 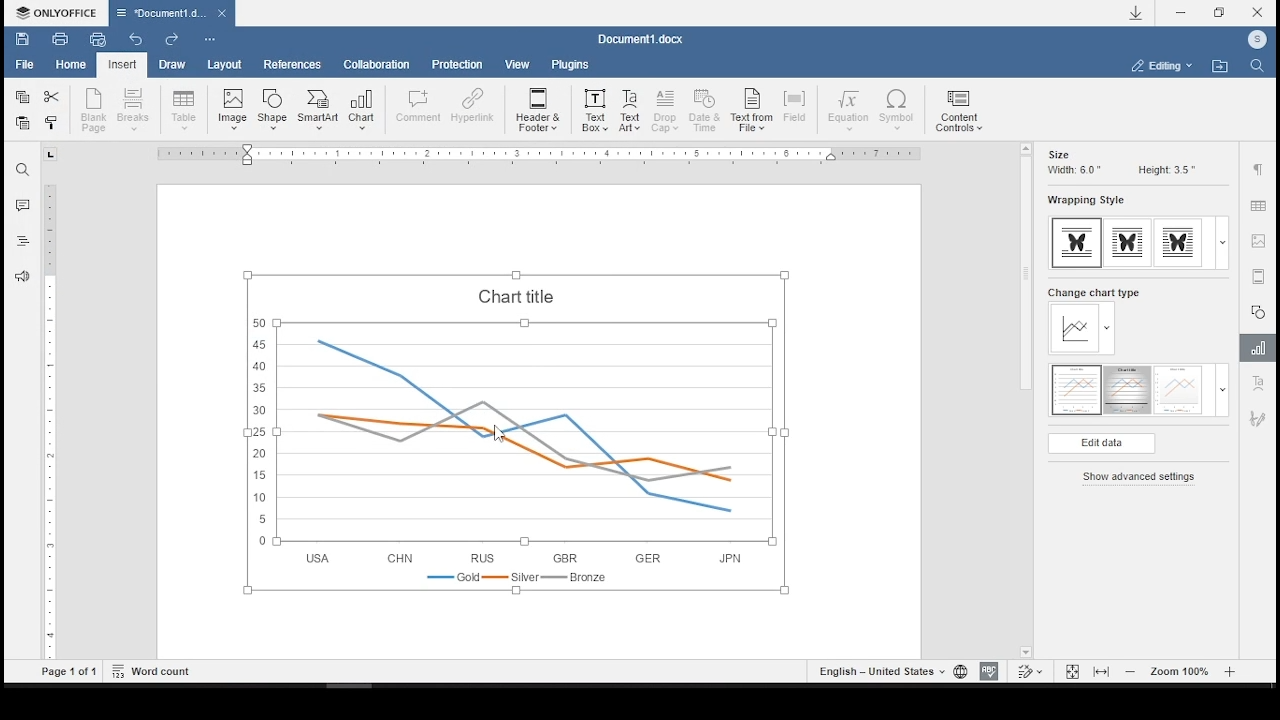 I want to click on width, so click(x=1072, y=171).